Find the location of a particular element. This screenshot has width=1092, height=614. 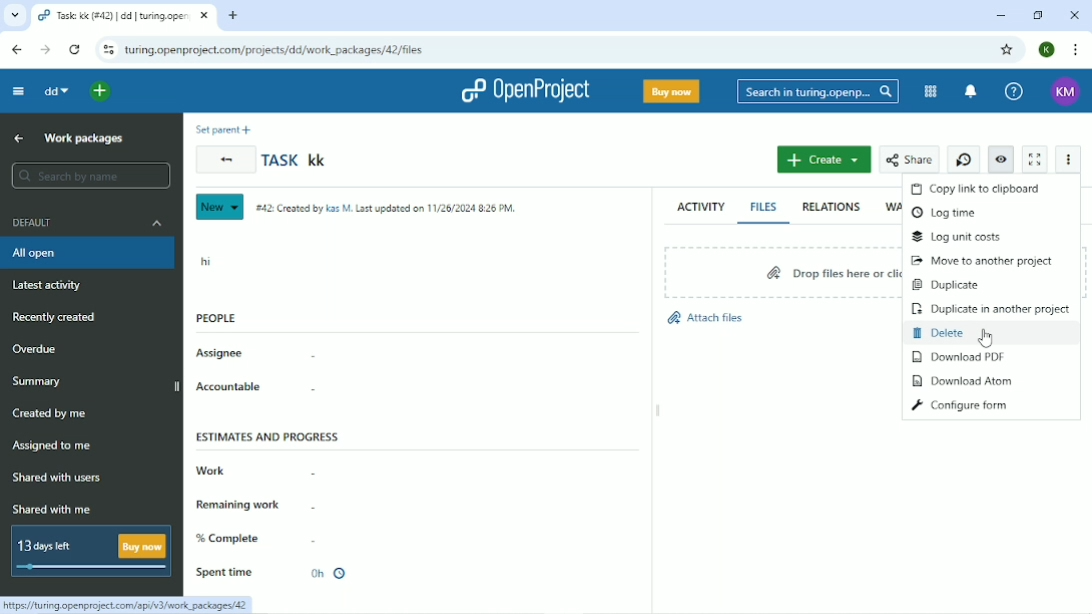

Task kk is located at coordinates (296, 160).